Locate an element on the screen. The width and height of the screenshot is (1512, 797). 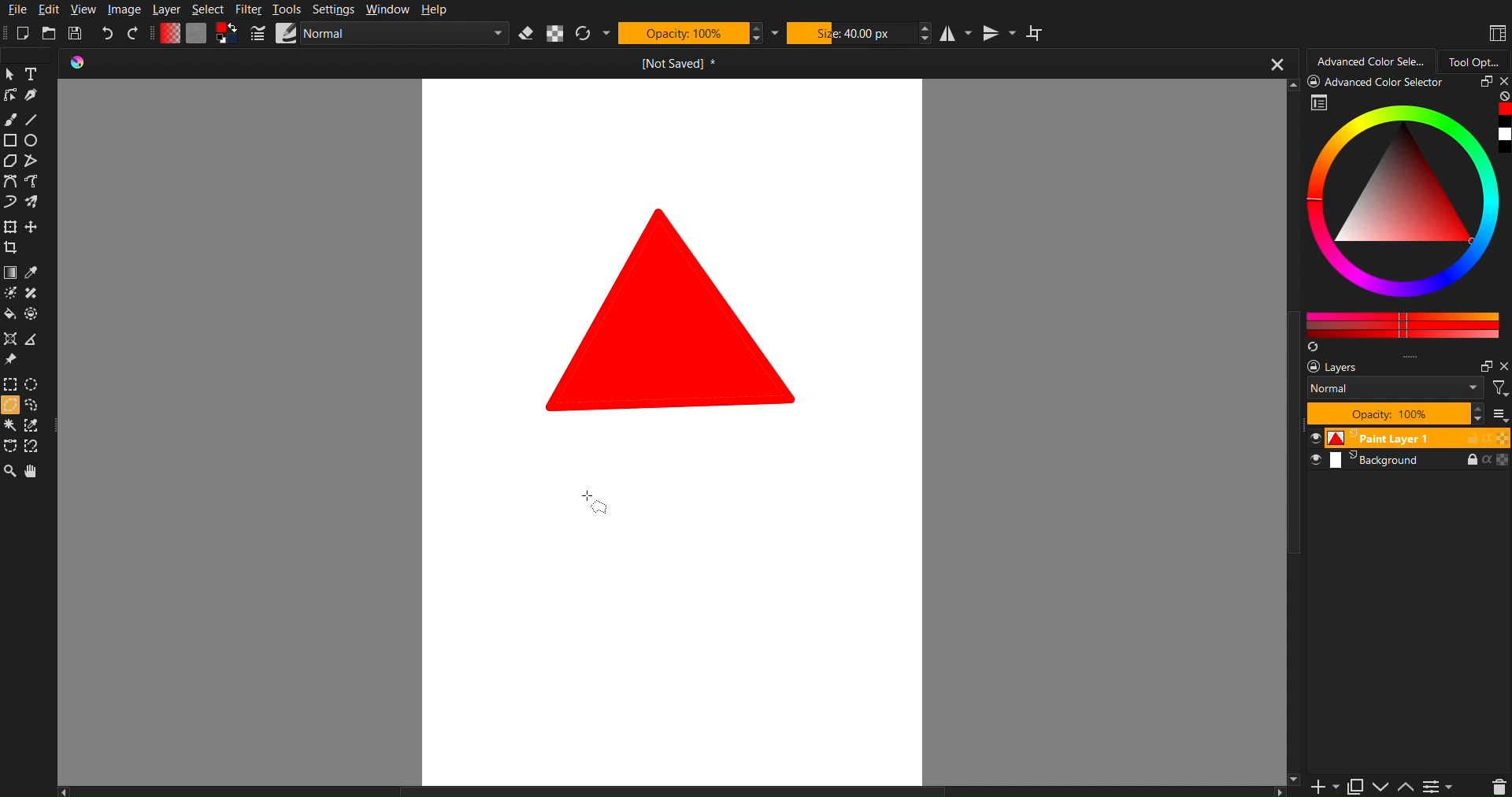
filler is located at coordinates (9, 316).